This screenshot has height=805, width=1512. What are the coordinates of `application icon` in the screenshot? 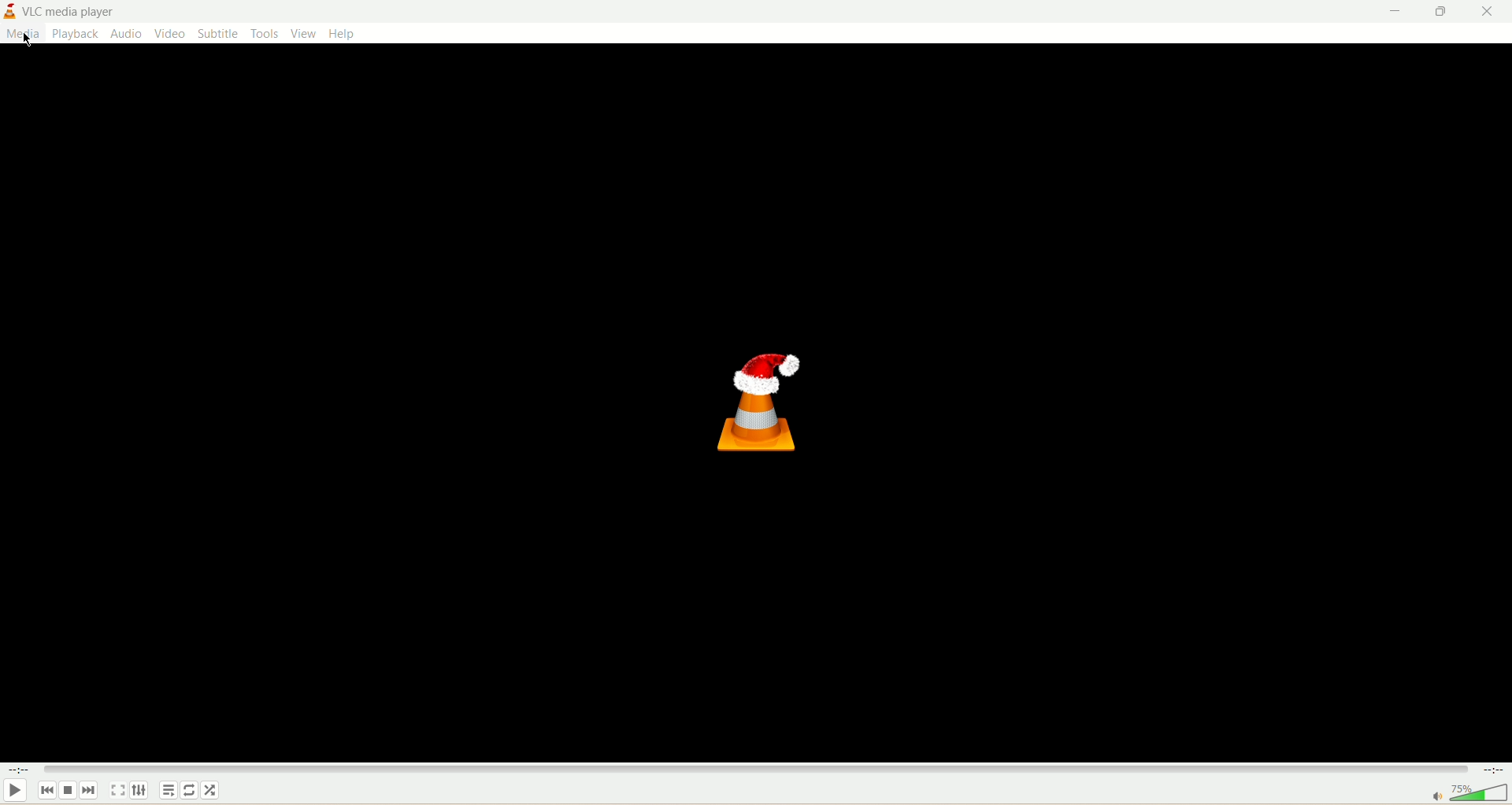 It's located at (766, 401).